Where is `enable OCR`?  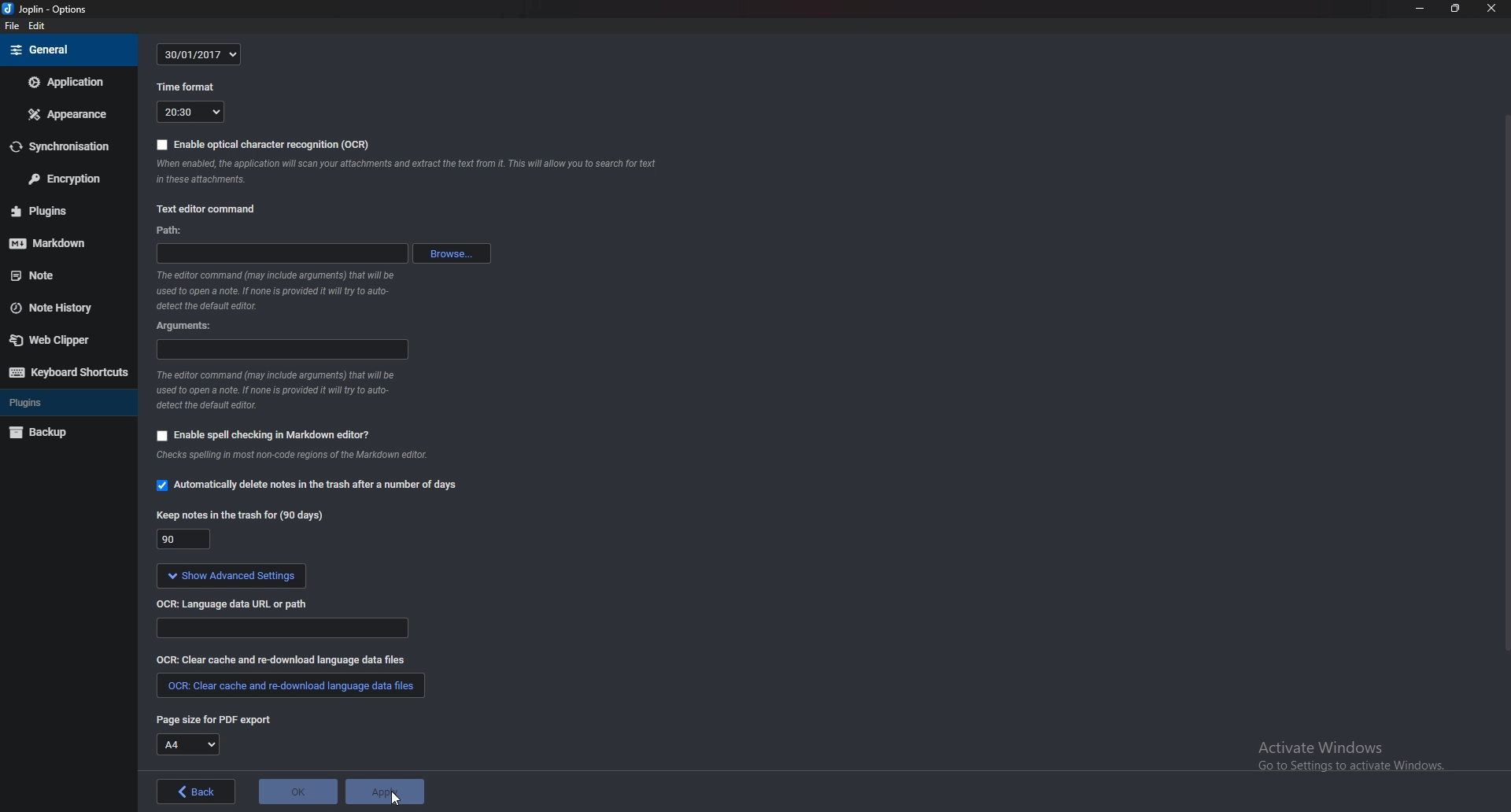
enable OCR is located at coordinates (260, 144).